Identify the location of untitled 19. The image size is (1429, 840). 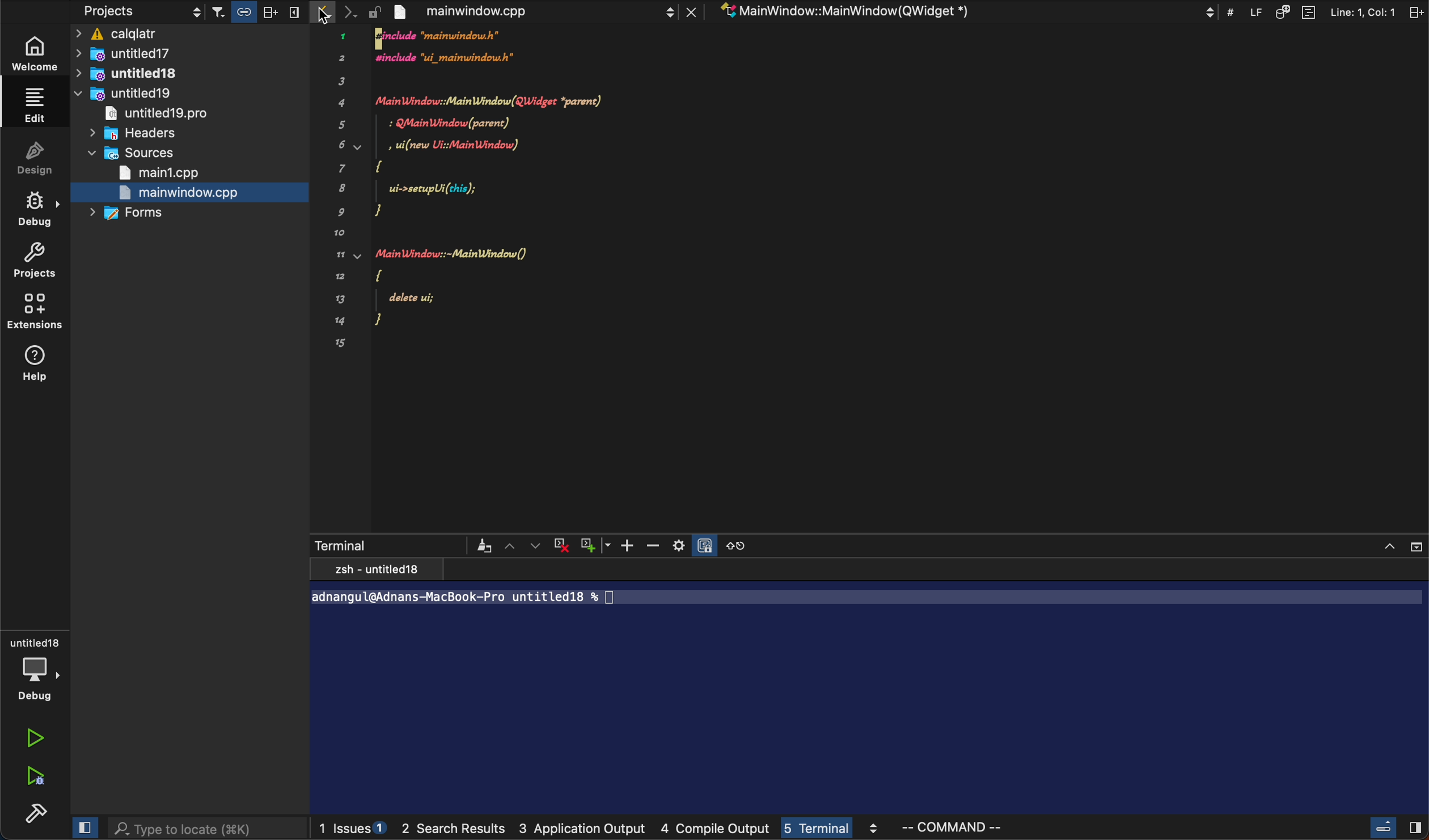
(164, 115).